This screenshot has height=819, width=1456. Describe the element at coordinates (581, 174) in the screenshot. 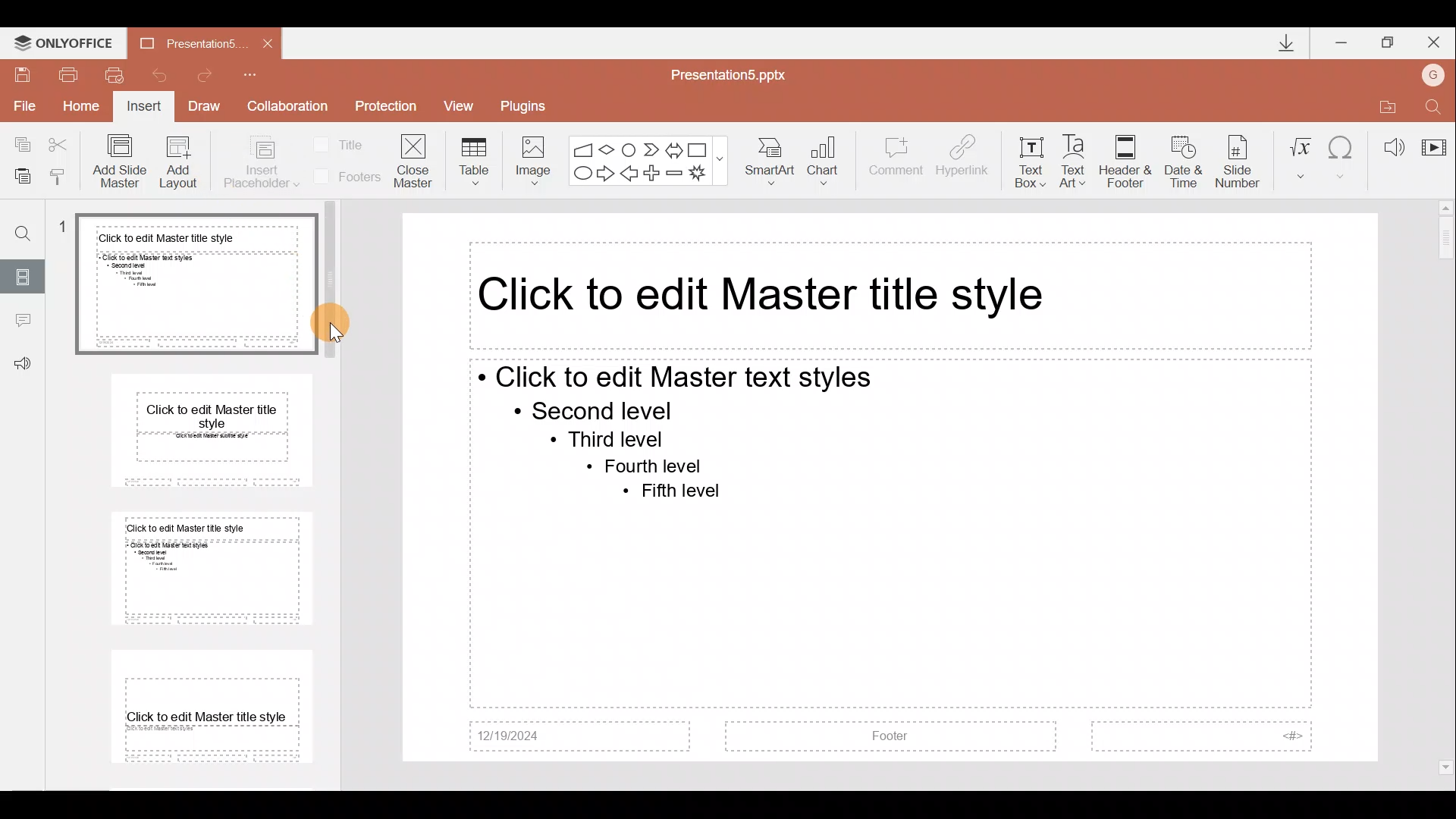

I see `Ellipse` at that location.